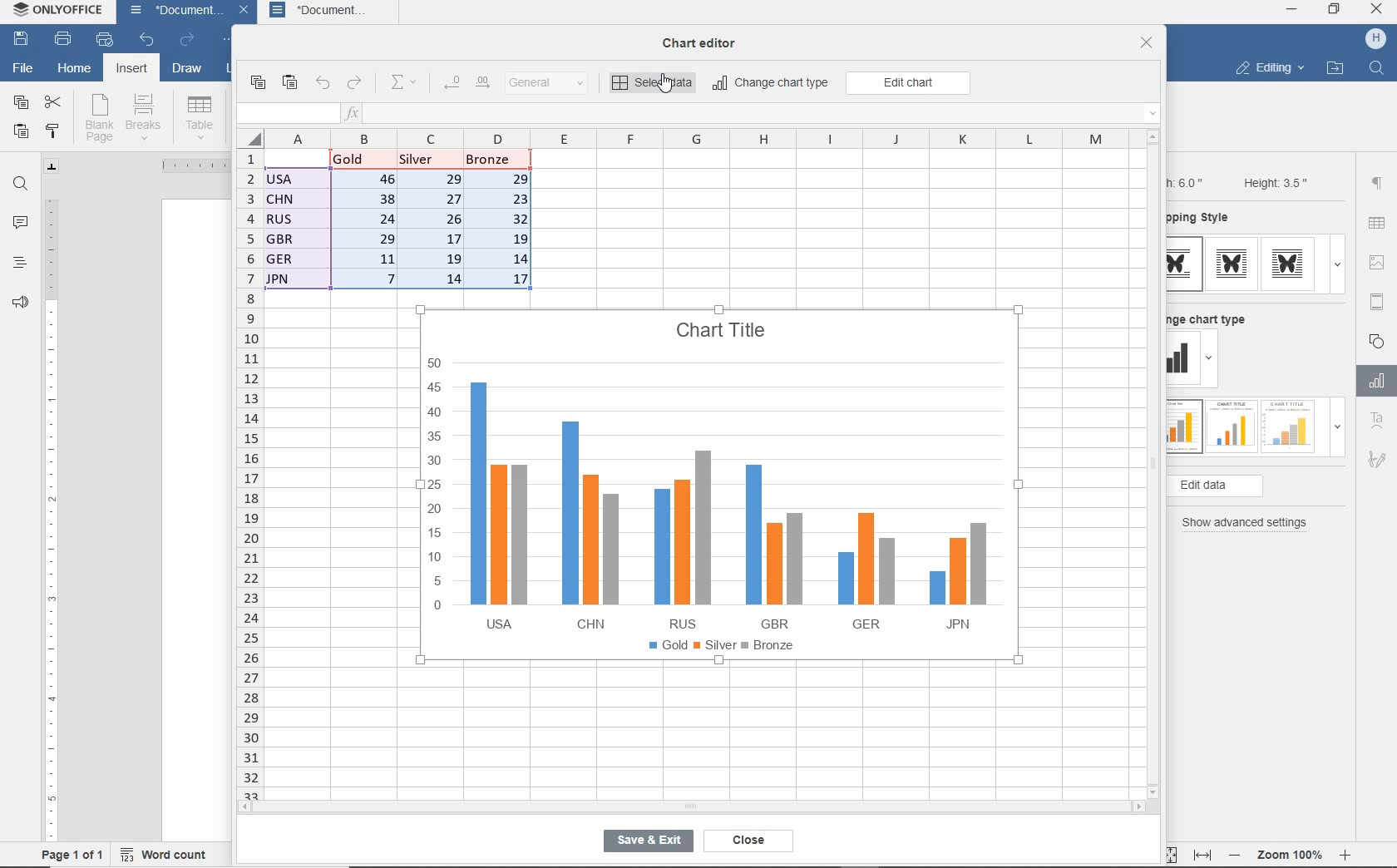  Describe the element at coordinates (257, 82) in the screenshot. I see `copy` at that location.